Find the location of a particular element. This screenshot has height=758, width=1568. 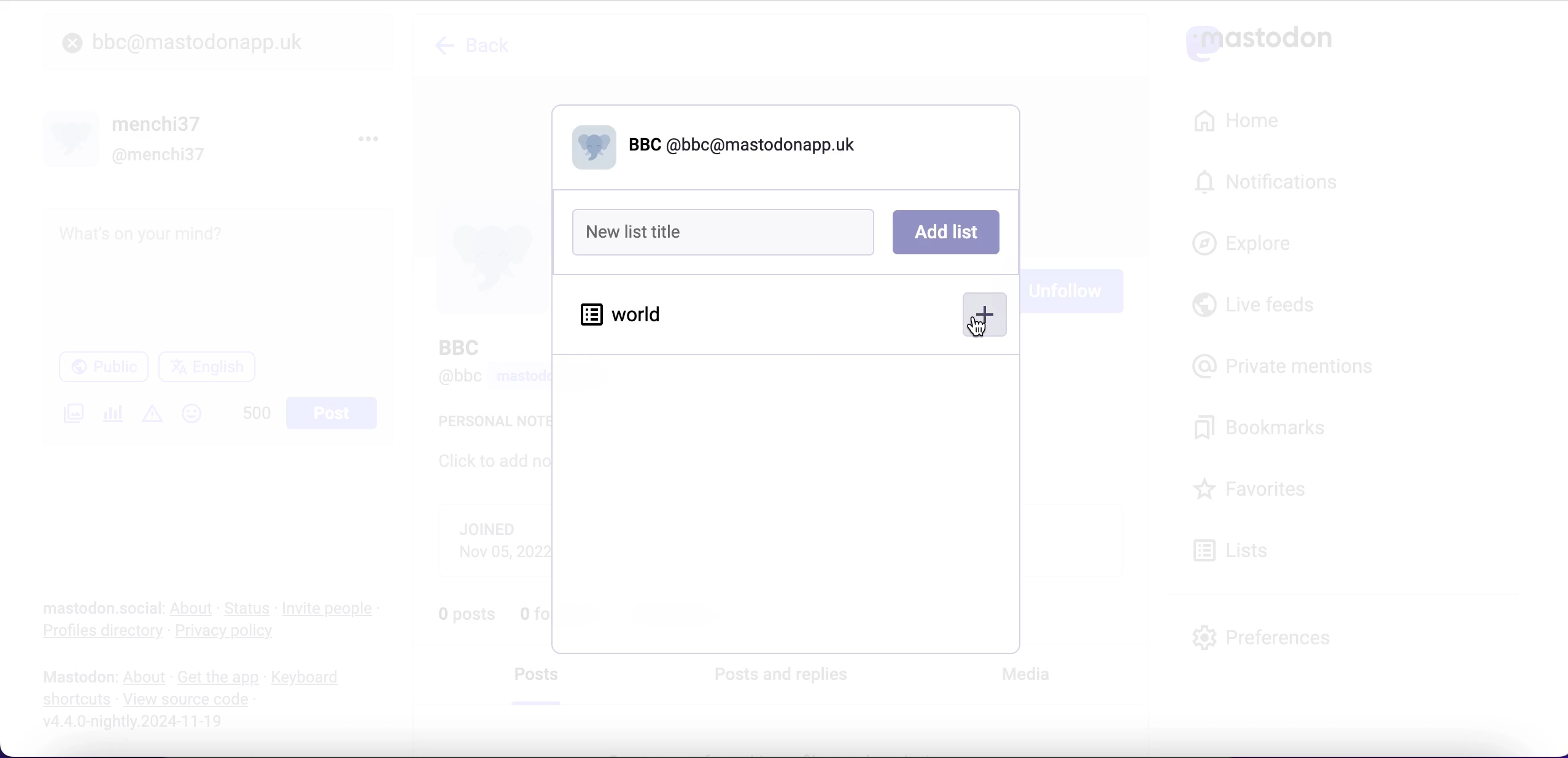

notifications is located at coordinates (1272, 181).